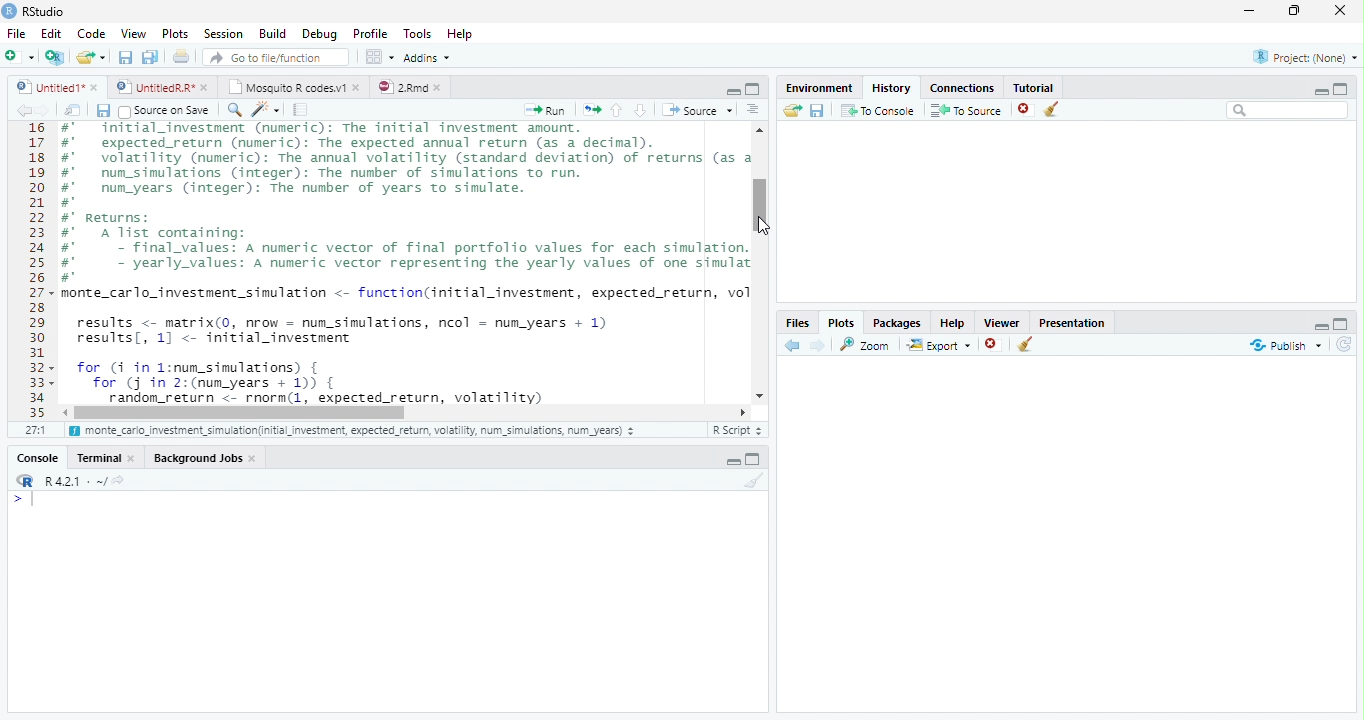  I want to click on Go to file/function, so click(274, 57).